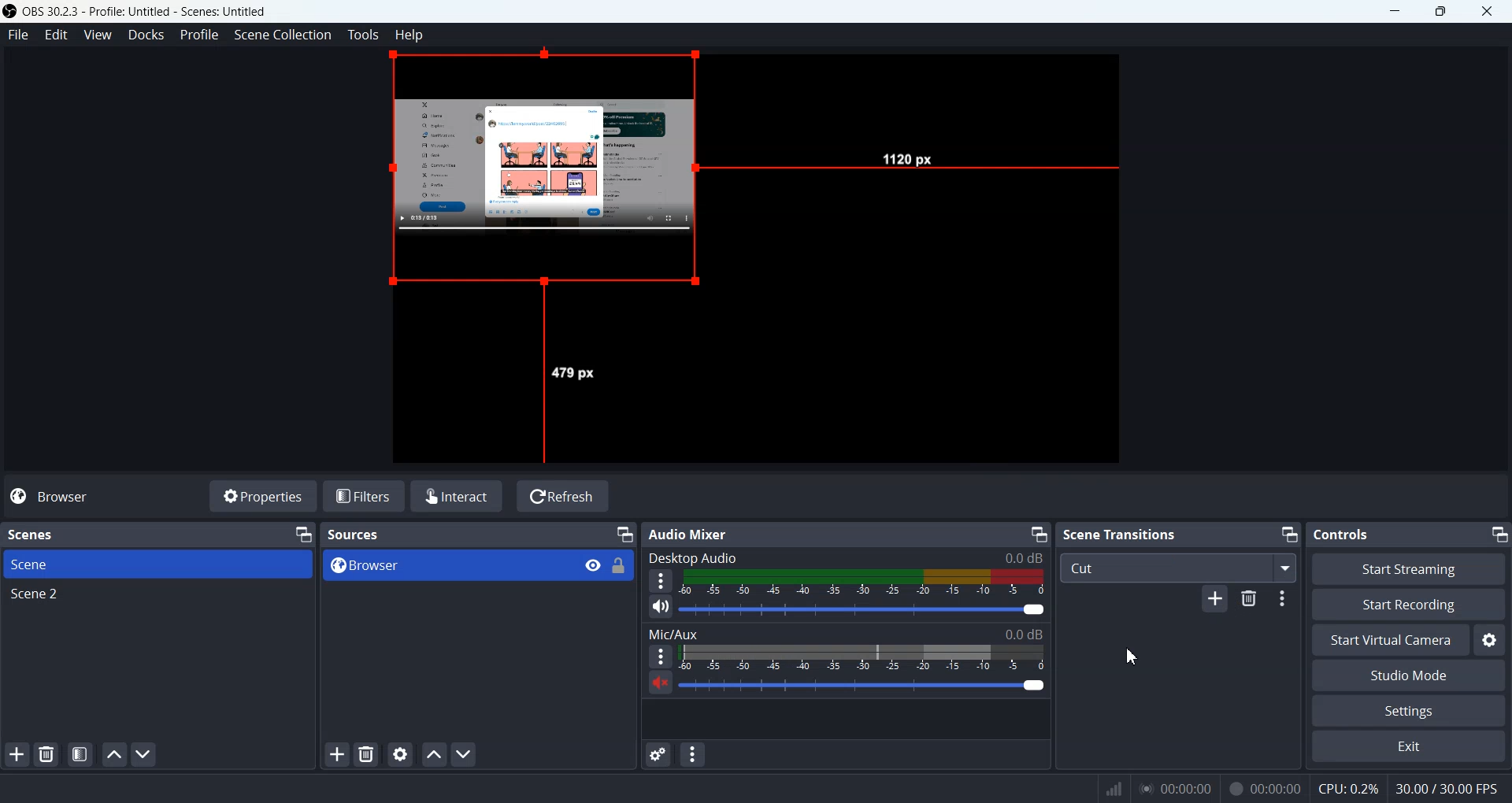  I want to click on Cursor, so click(1132, 656).